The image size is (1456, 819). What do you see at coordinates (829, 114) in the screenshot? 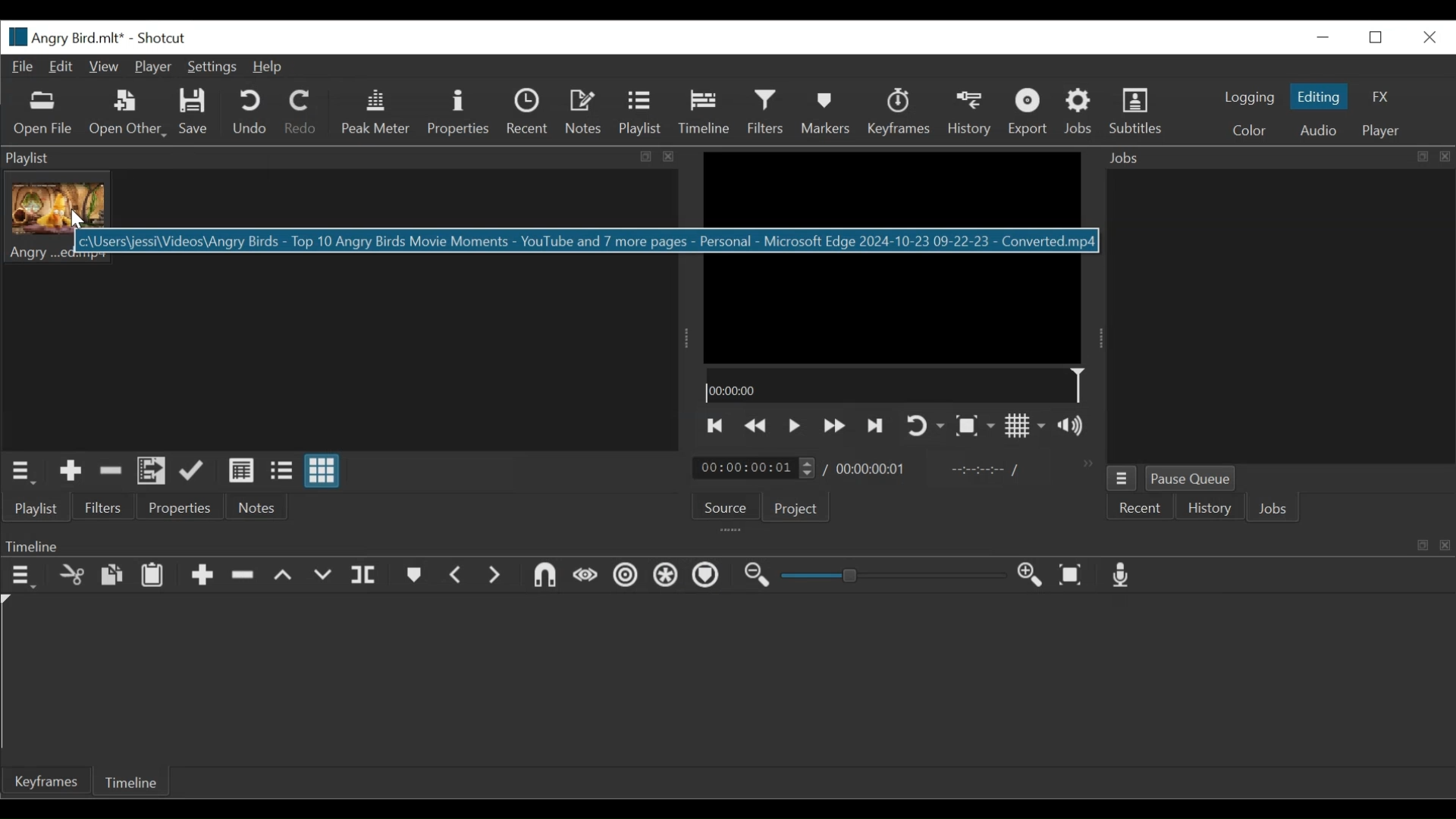
I see `Markers` at bounding box center [829, 114].